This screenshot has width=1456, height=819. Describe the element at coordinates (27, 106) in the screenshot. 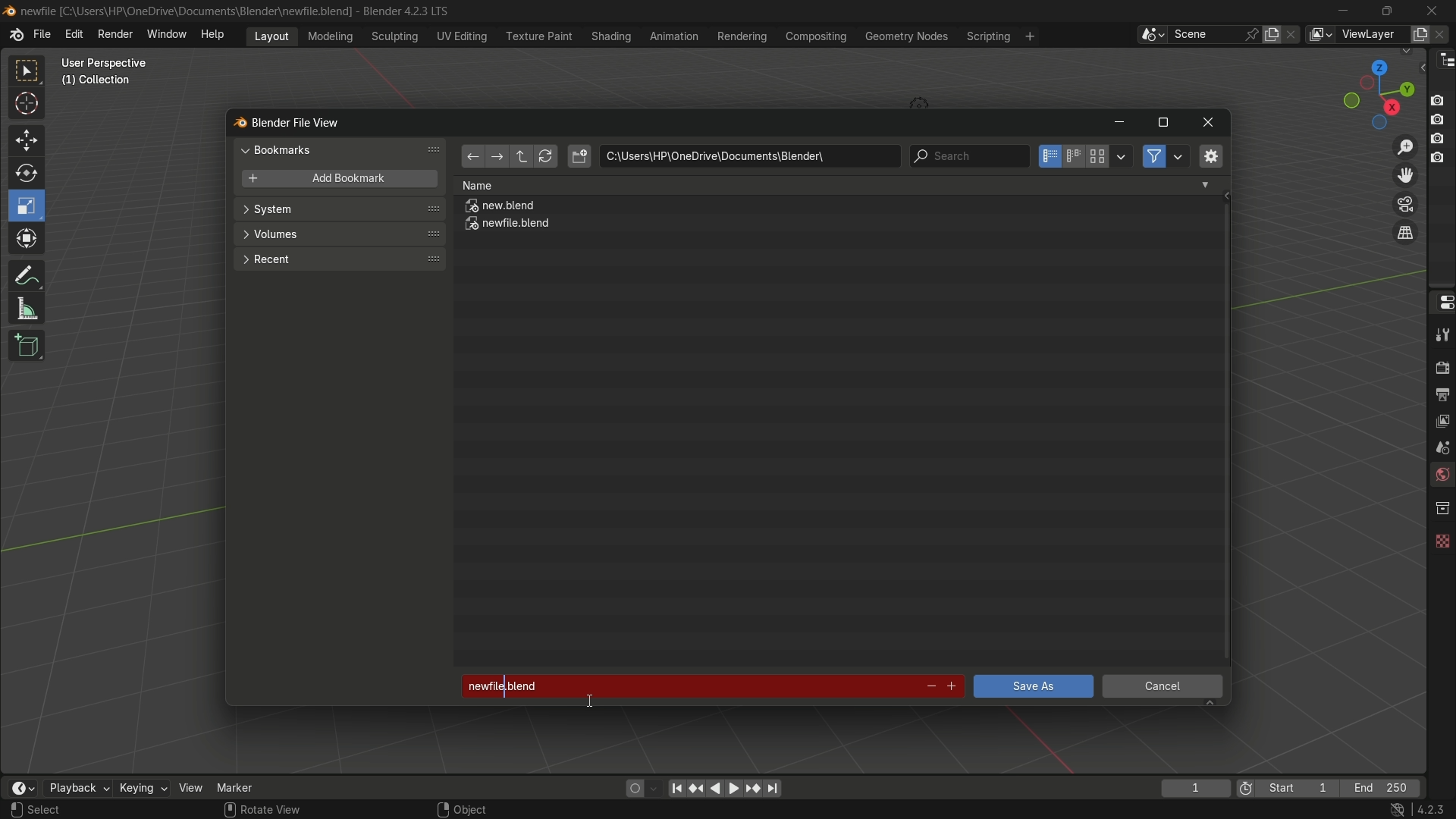

I see `cursor` at that location.